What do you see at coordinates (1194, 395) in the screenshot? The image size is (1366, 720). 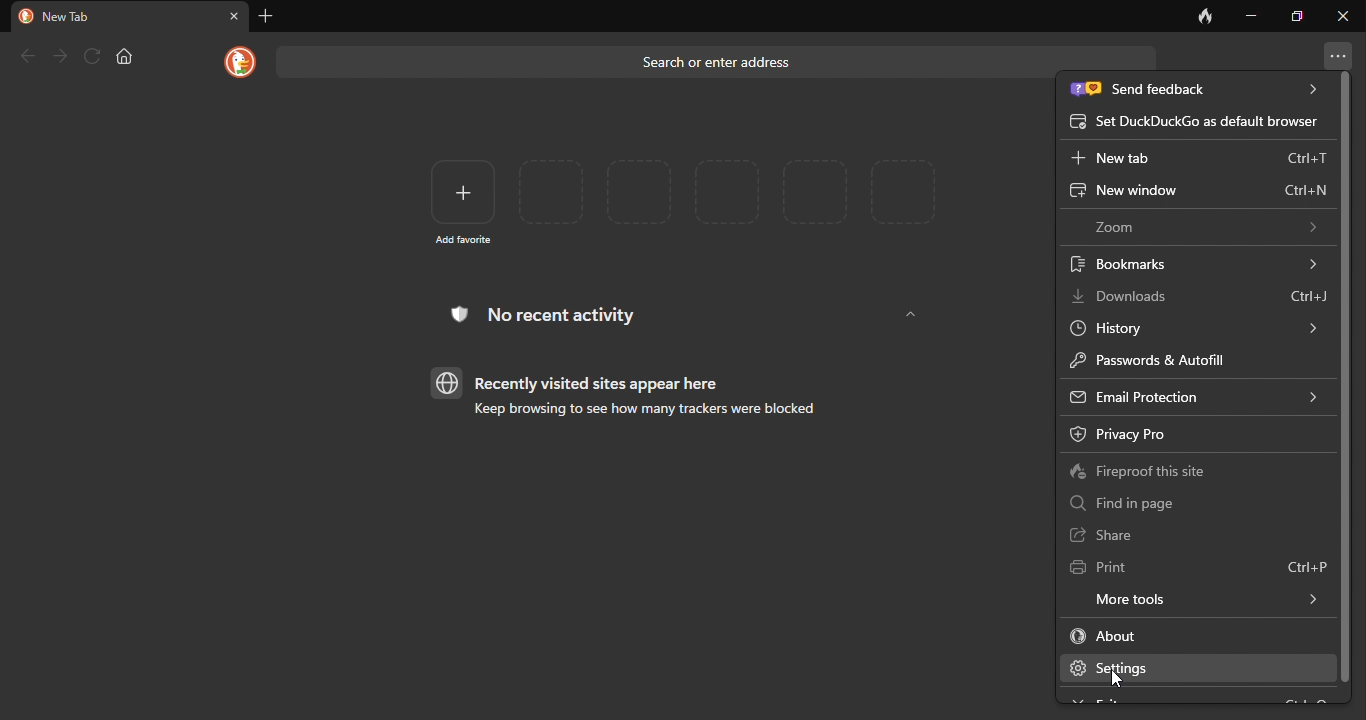 I see `email protection` at bounding box center [1194, 395].